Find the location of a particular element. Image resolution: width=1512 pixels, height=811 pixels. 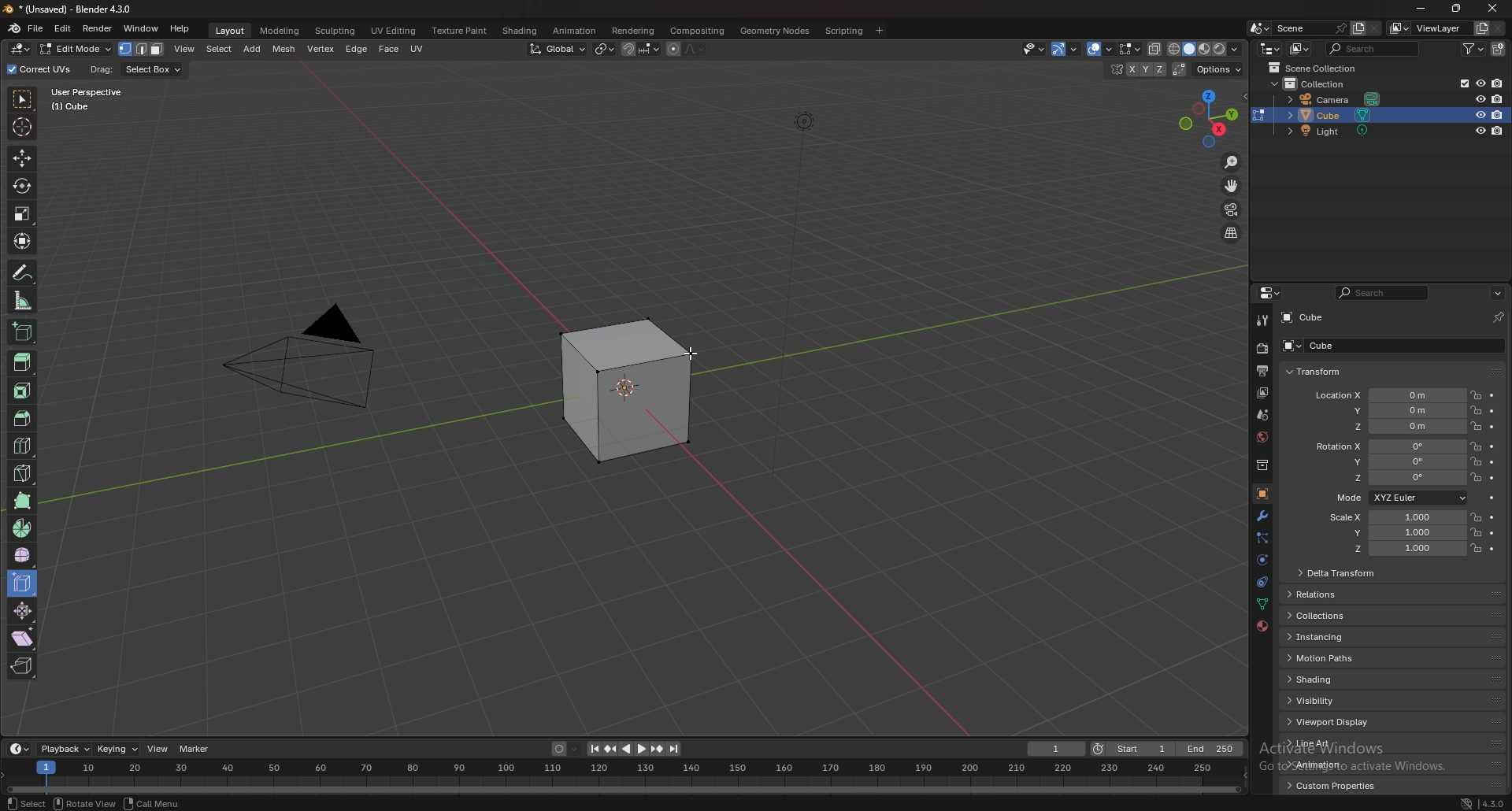

perspective/orthographic projection is located at coordinates (1232, 233).